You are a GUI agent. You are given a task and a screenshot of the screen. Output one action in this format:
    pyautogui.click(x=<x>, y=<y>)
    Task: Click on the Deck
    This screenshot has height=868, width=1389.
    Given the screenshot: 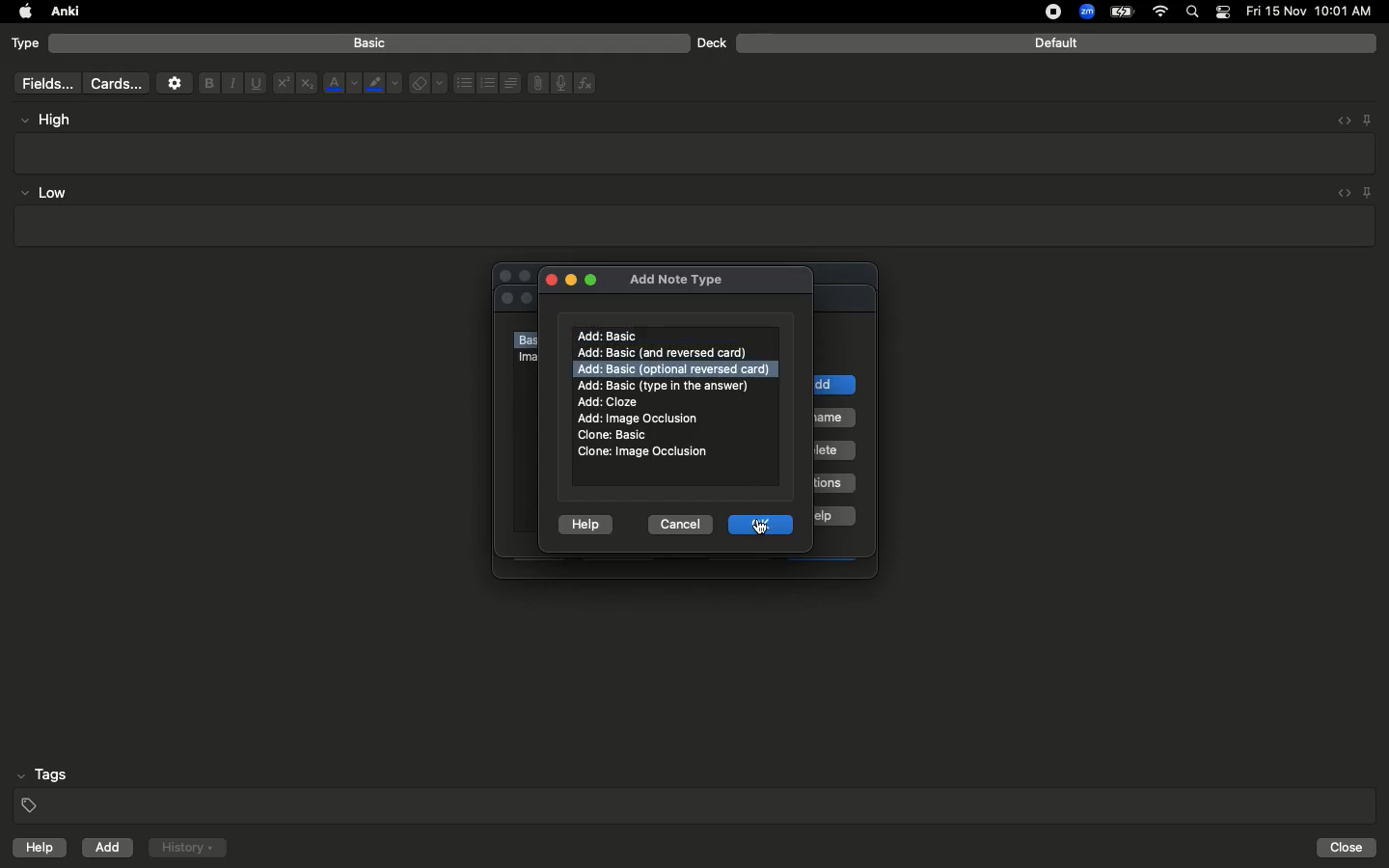 What is the action you would take?
    pyautogui.click(x=711, y=42)
    